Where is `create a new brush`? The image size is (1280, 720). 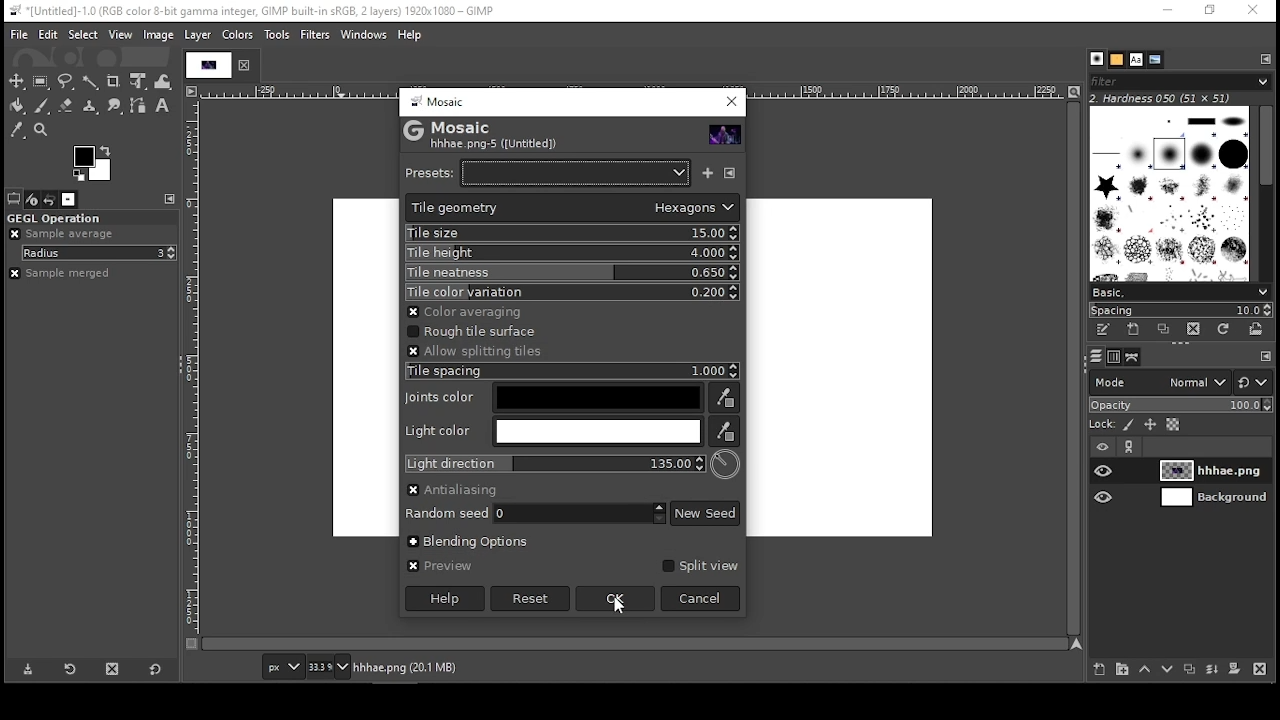
create a new brush is located at coordinates (1132, 329).